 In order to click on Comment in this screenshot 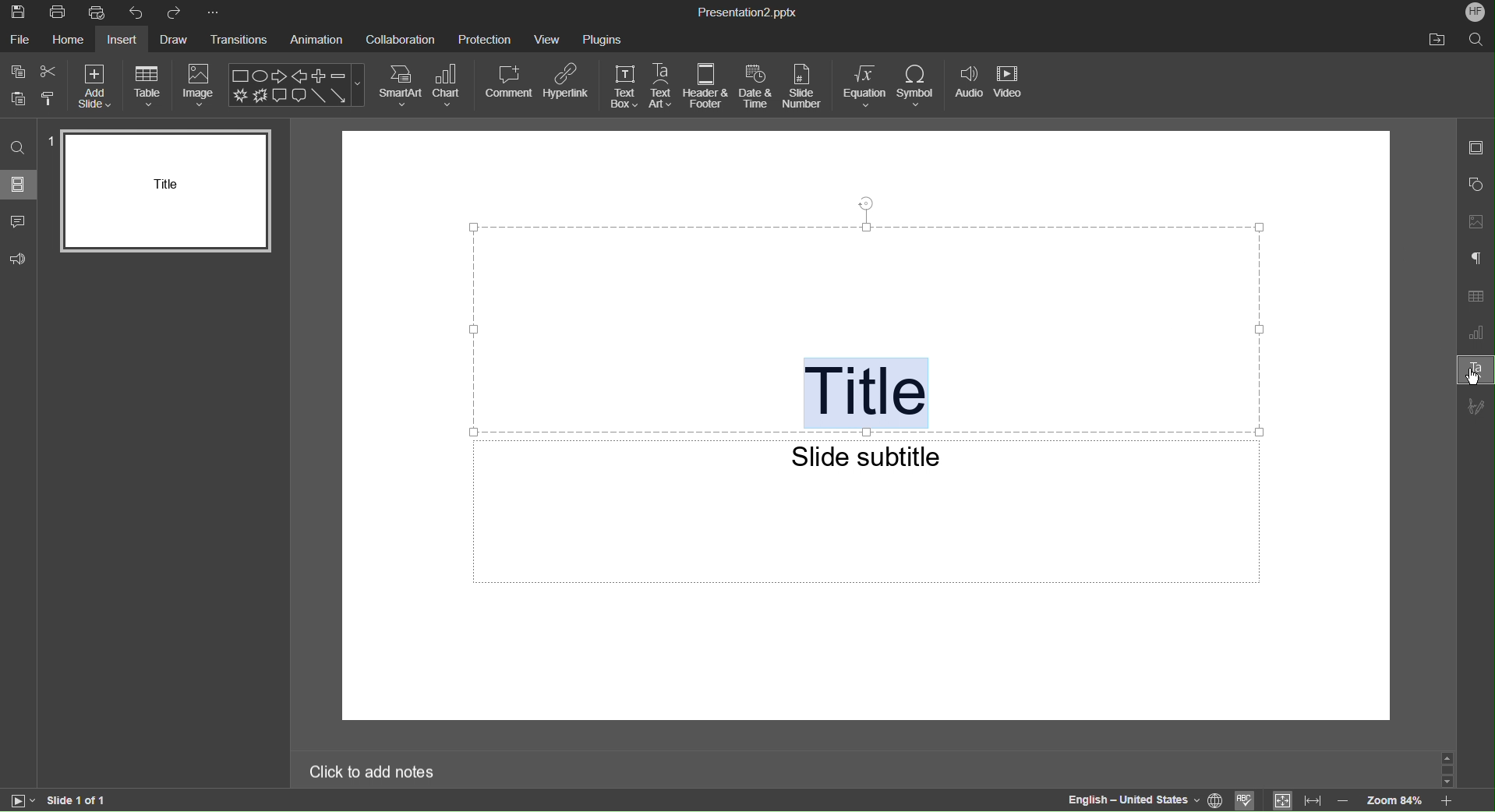, I will do `click(510, 86)`.